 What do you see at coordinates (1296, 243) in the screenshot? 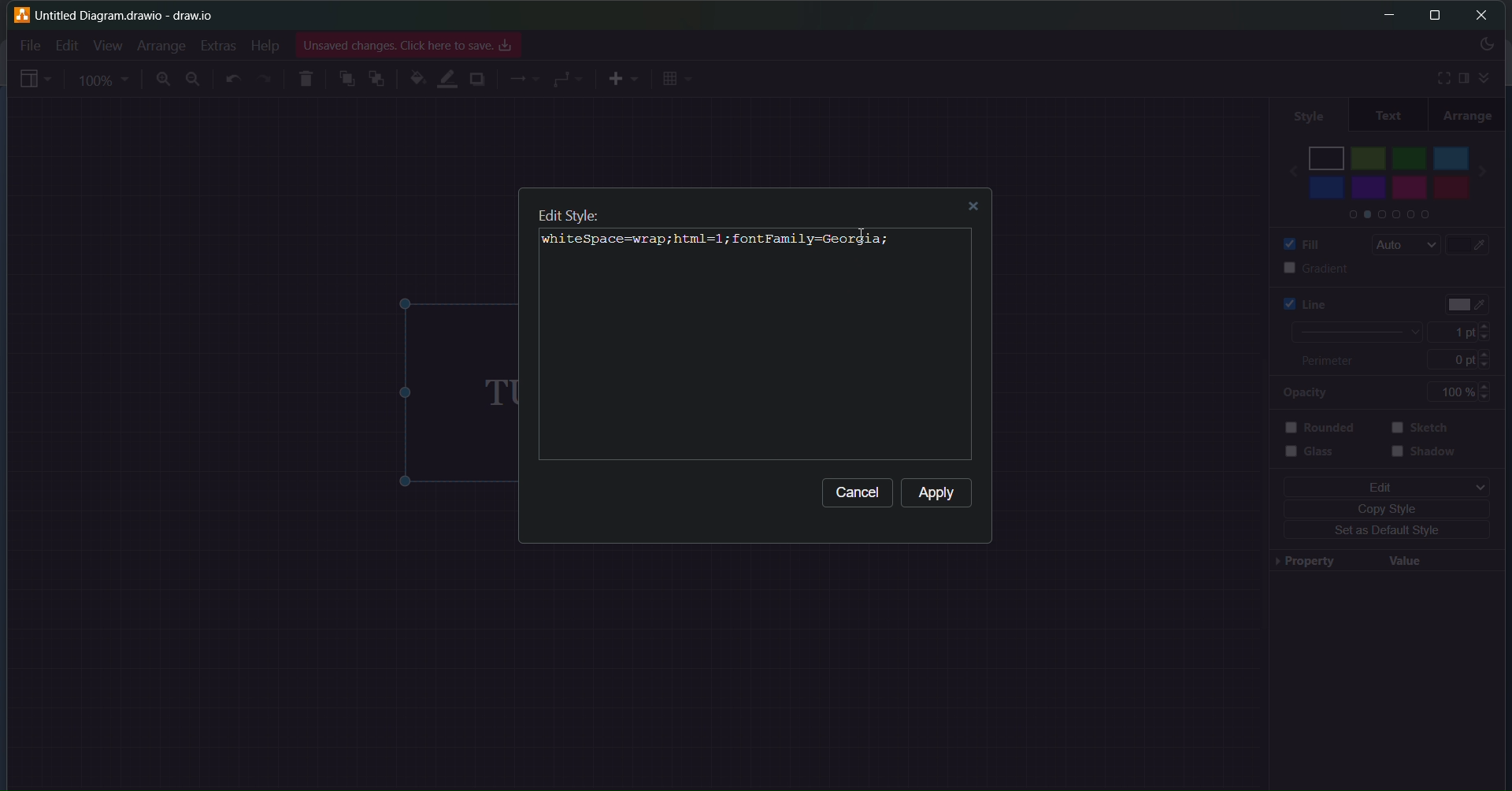
I see `fill` at bounding box center [1296, 243].